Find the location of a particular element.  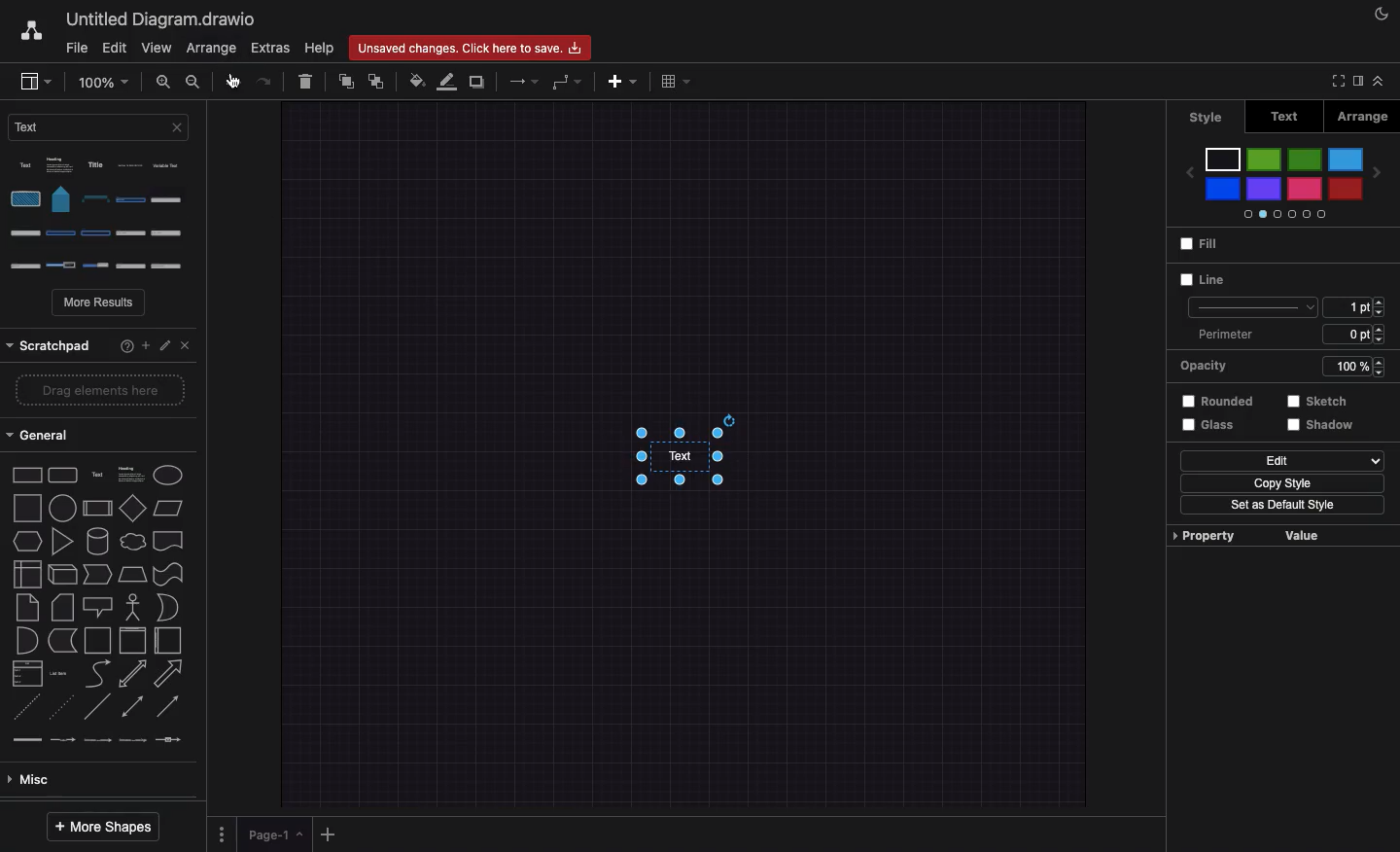

Line color is located at coordinates (448, 83).